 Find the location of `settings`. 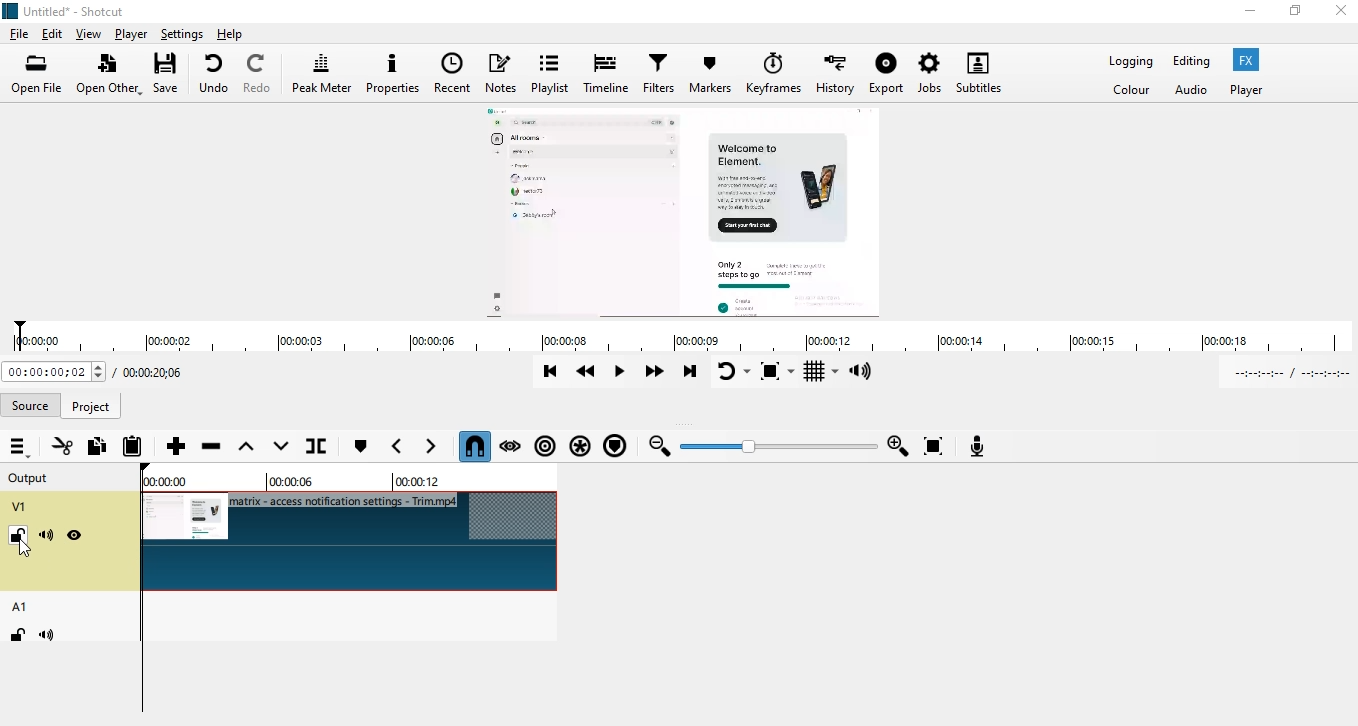

settings is located at coordinates (179, 35).